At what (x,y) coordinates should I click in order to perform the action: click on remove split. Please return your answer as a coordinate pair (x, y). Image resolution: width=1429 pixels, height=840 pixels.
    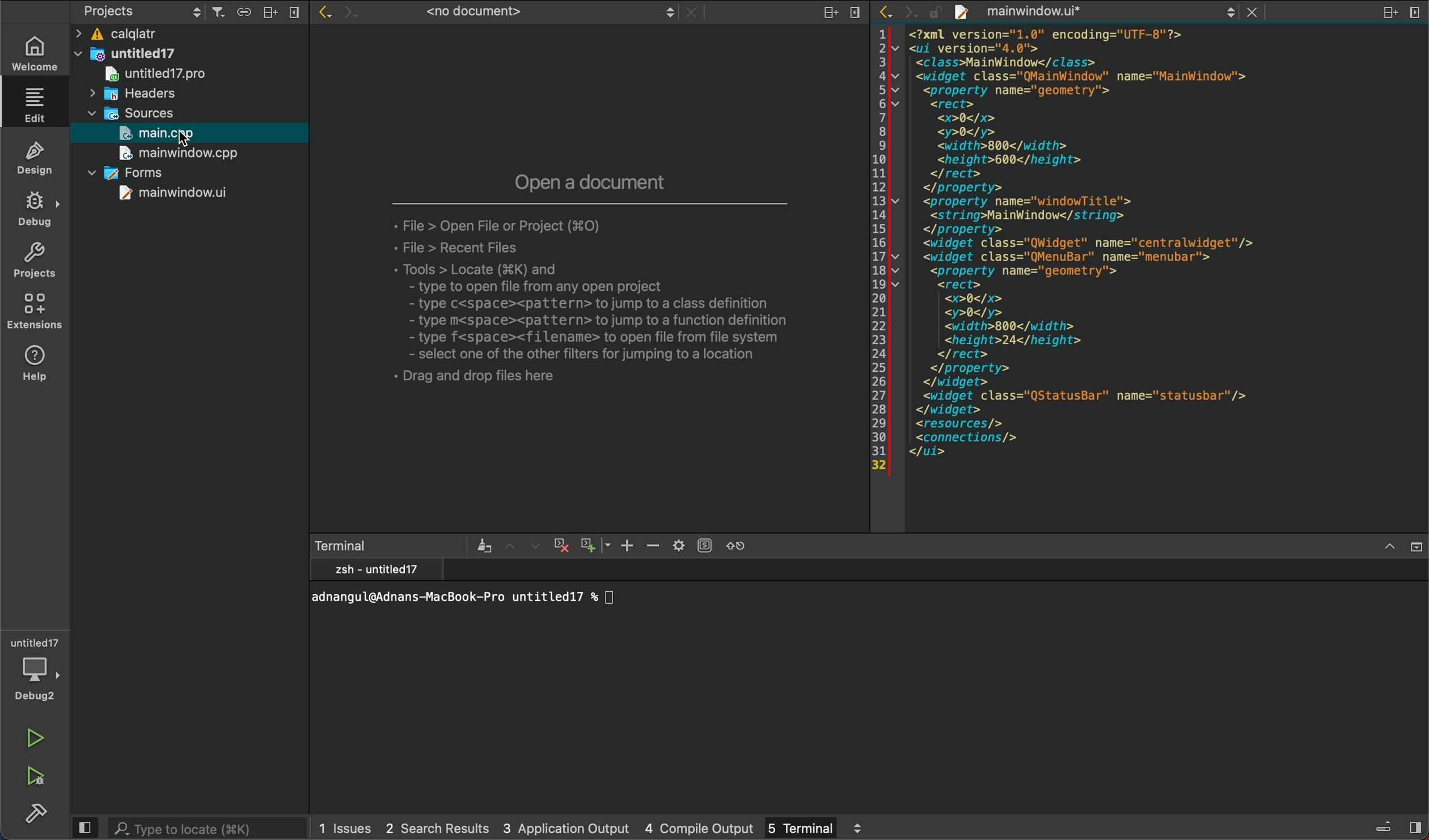
    Looking at the image, I should click on (1414, 12).